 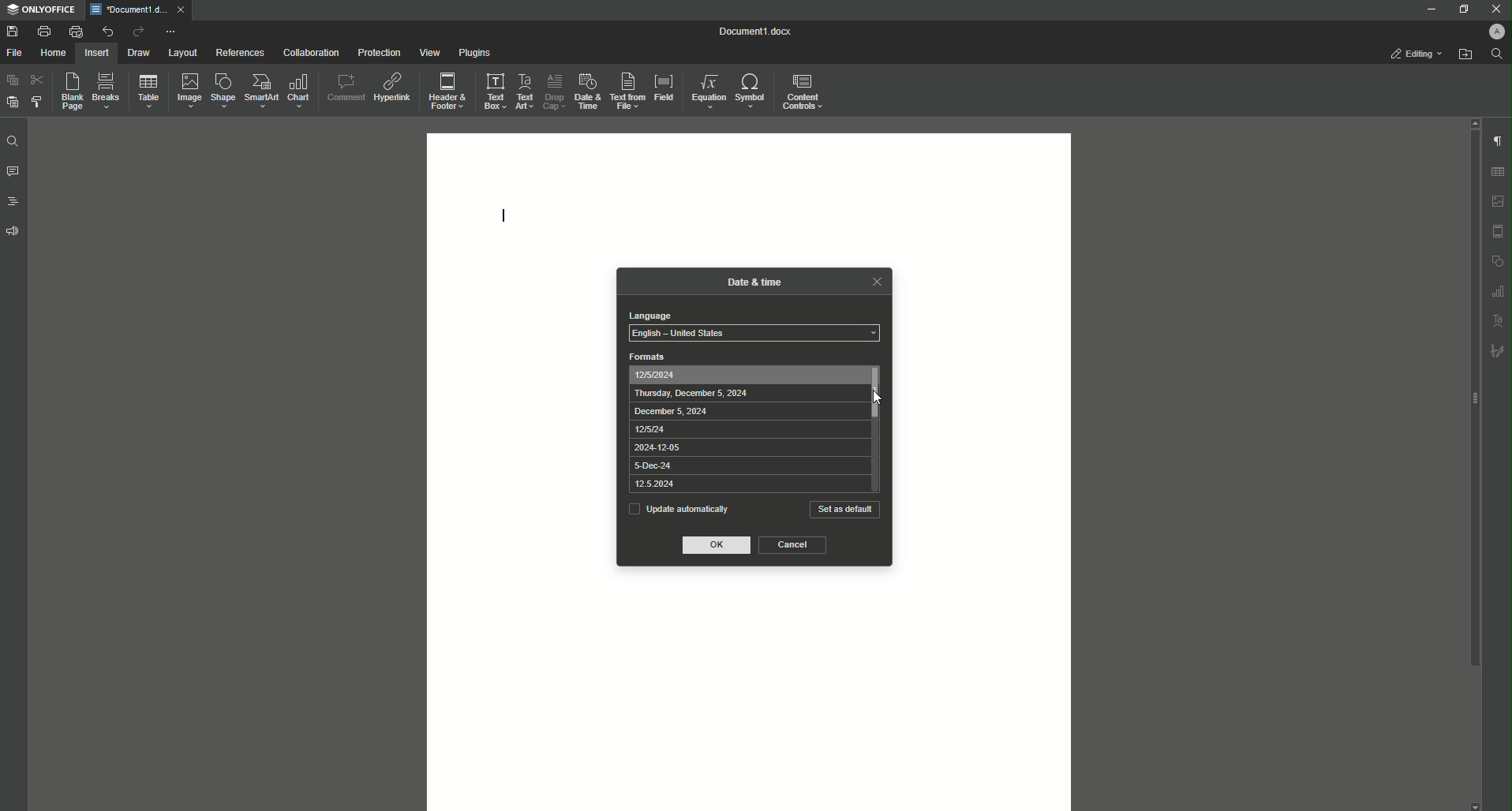 What do you see at coordinates (139, 52) in the screenshot?
I see `Draw` at bounding box center [139, 52].